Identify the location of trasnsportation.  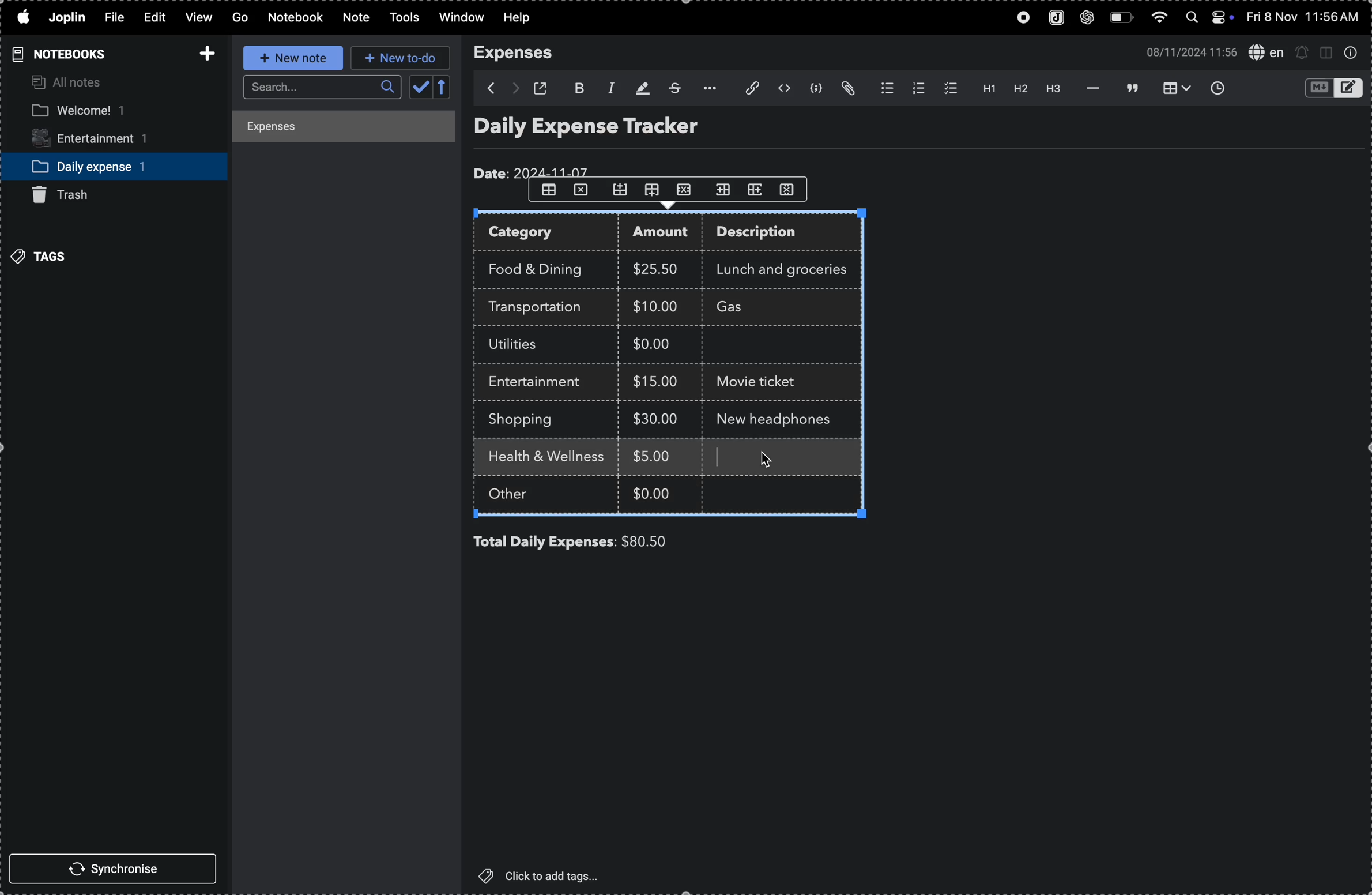
(541, 307).